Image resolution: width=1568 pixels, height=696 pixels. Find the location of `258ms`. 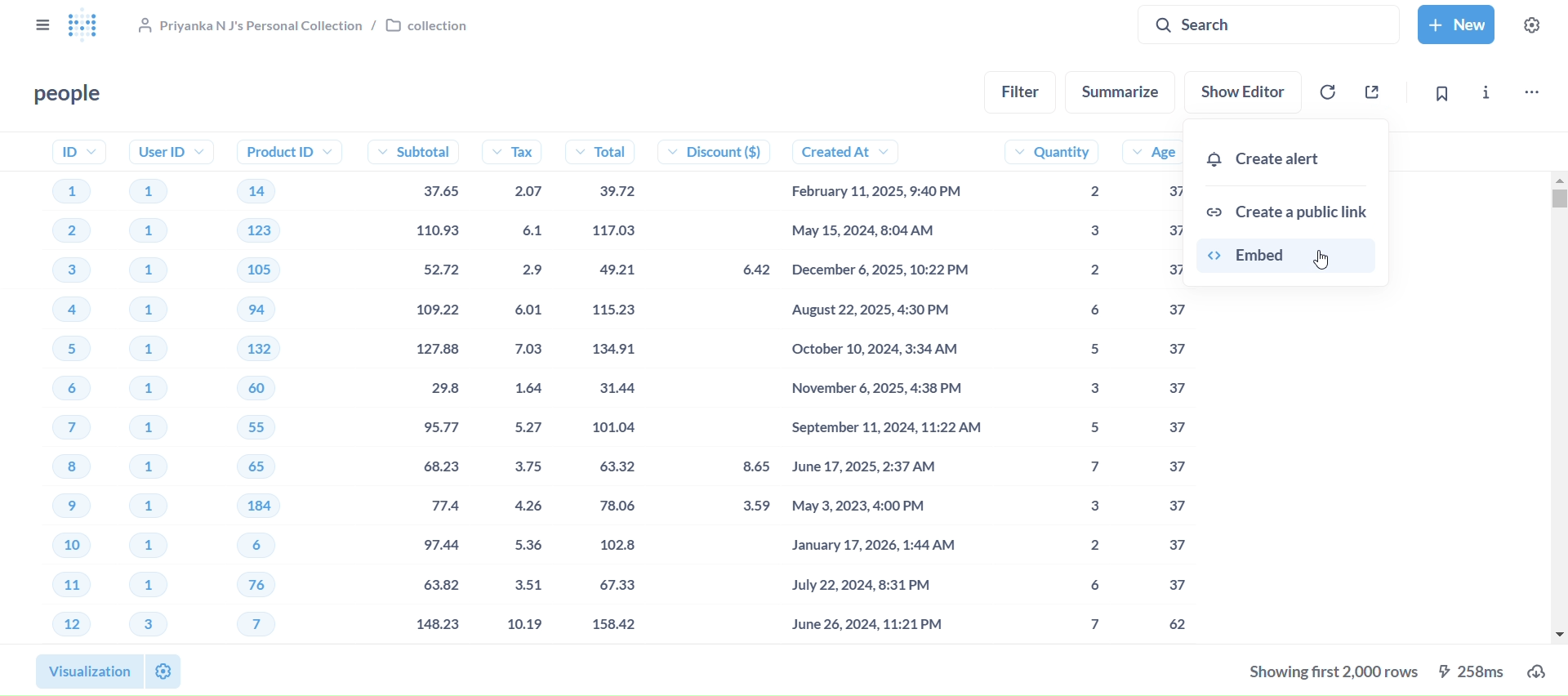

258ms is located at coordinates (1476, 671).